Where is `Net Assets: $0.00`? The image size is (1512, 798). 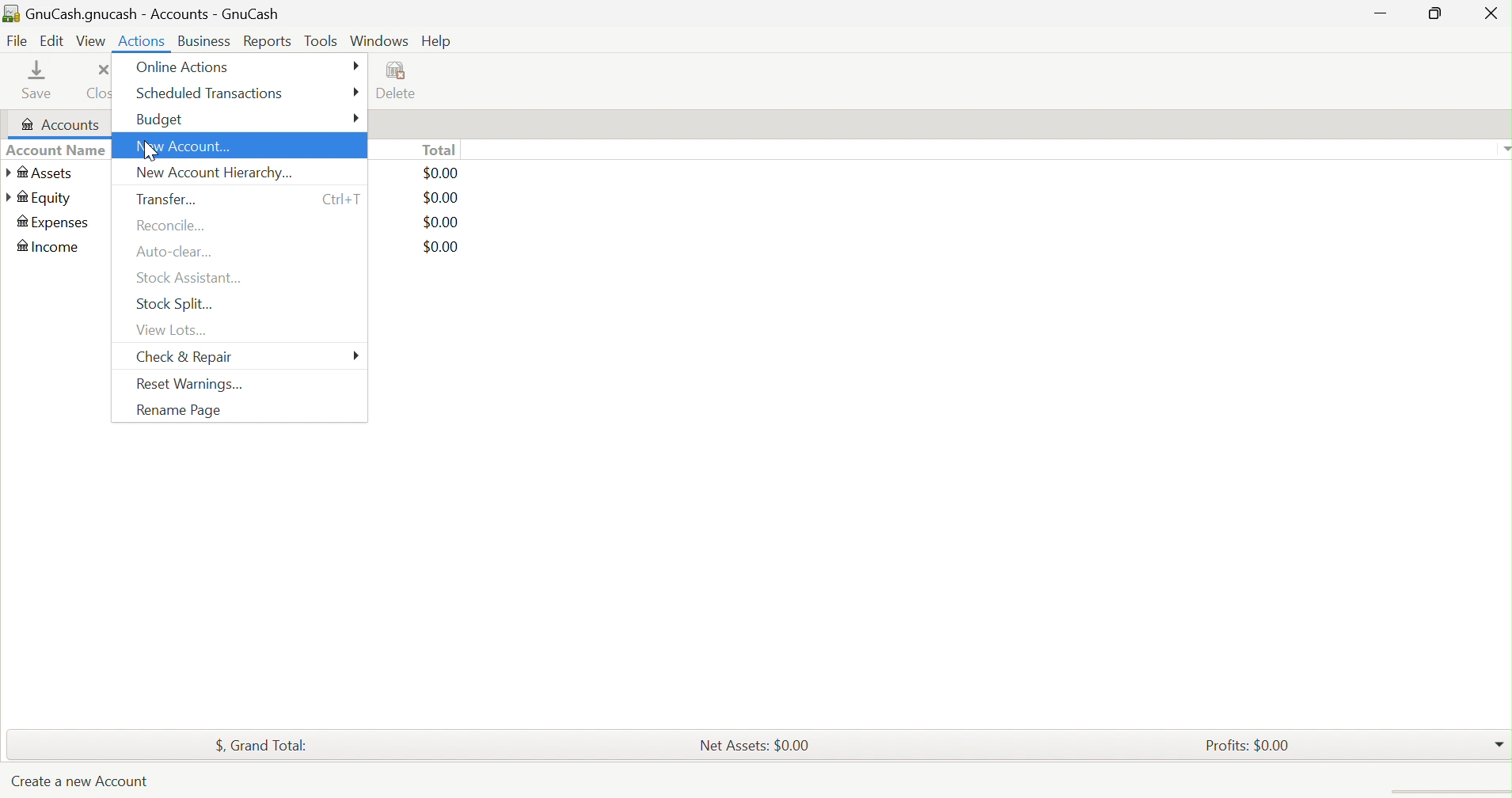 Net Assets: $0.00 is located at coordinates (754, 744).